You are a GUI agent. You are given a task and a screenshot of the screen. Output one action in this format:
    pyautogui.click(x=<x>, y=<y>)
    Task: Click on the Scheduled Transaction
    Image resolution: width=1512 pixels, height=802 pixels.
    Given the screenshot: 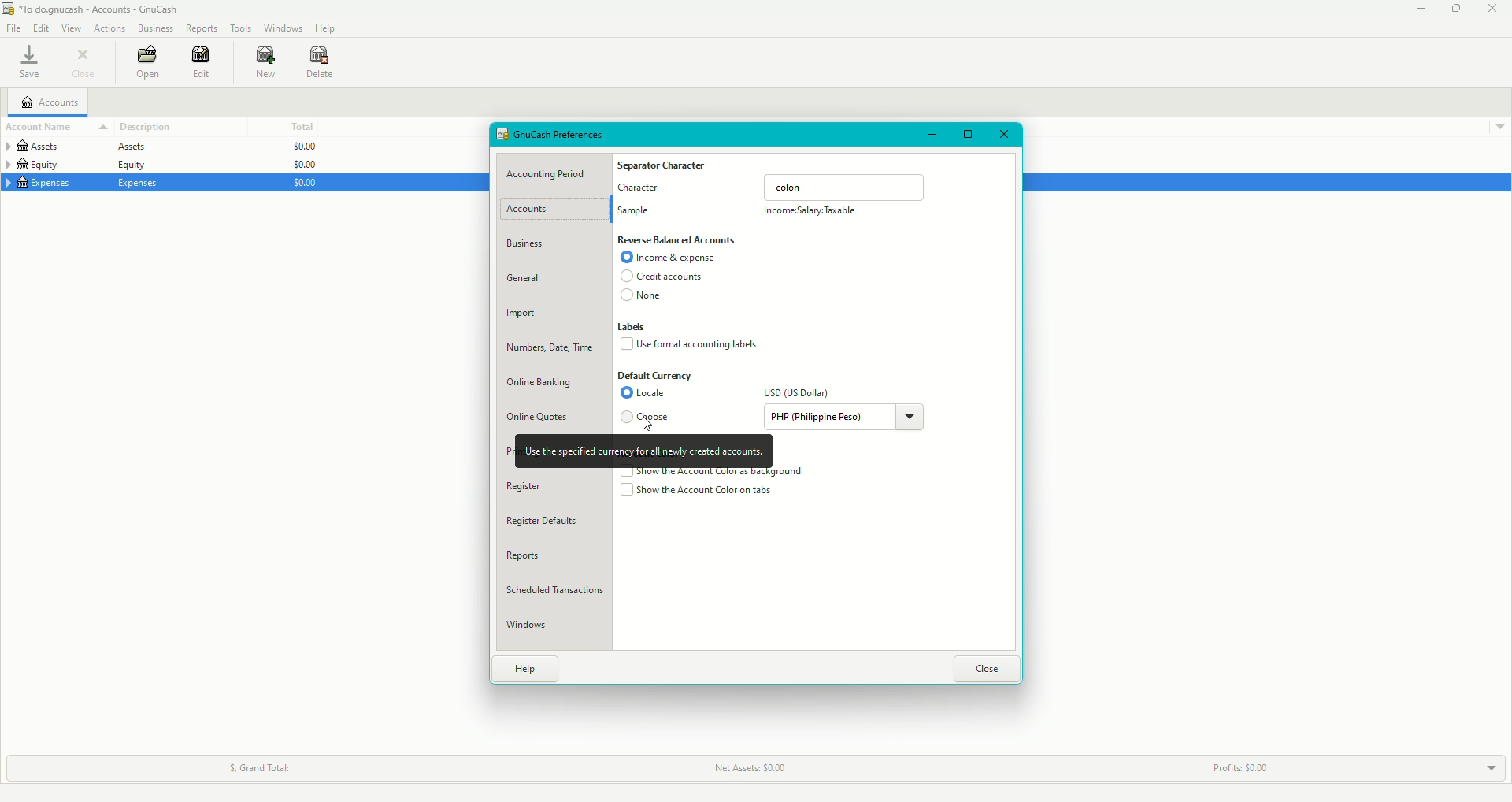 What is the action you would take?
    pyautogui.click(x=558, y=592)
    